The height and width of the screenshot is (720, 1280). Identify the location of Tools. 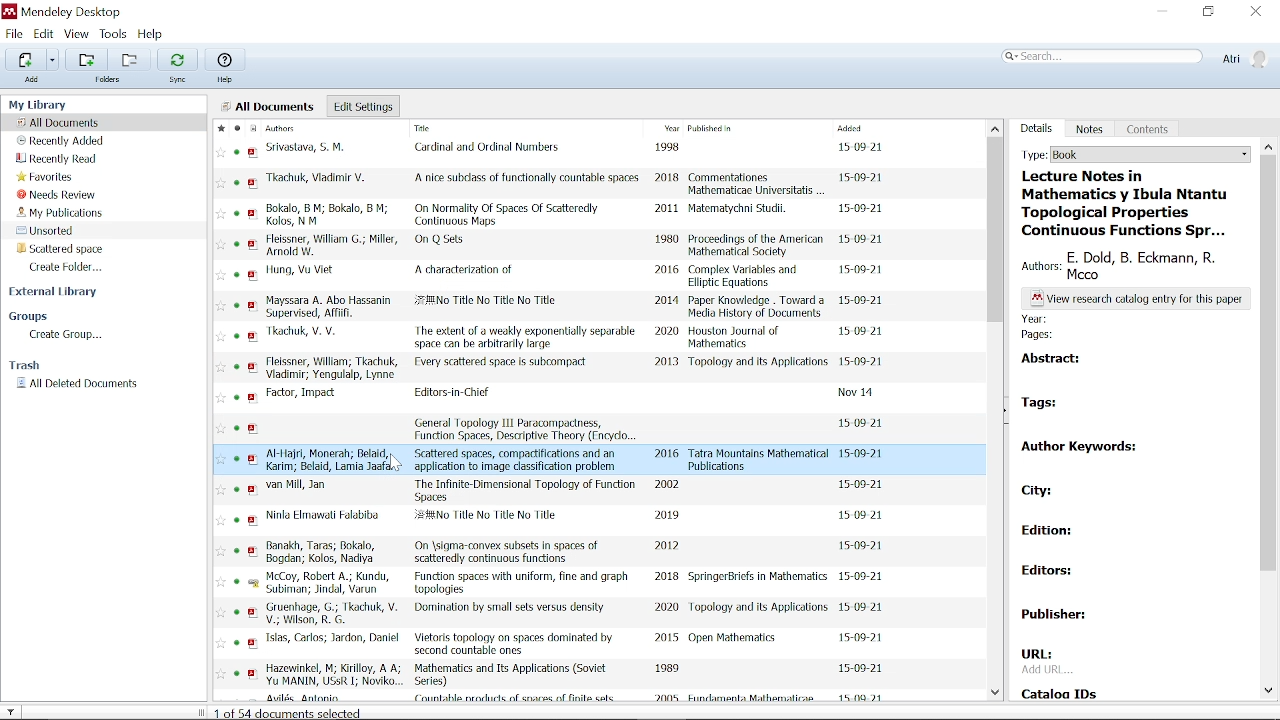
(114, 34).